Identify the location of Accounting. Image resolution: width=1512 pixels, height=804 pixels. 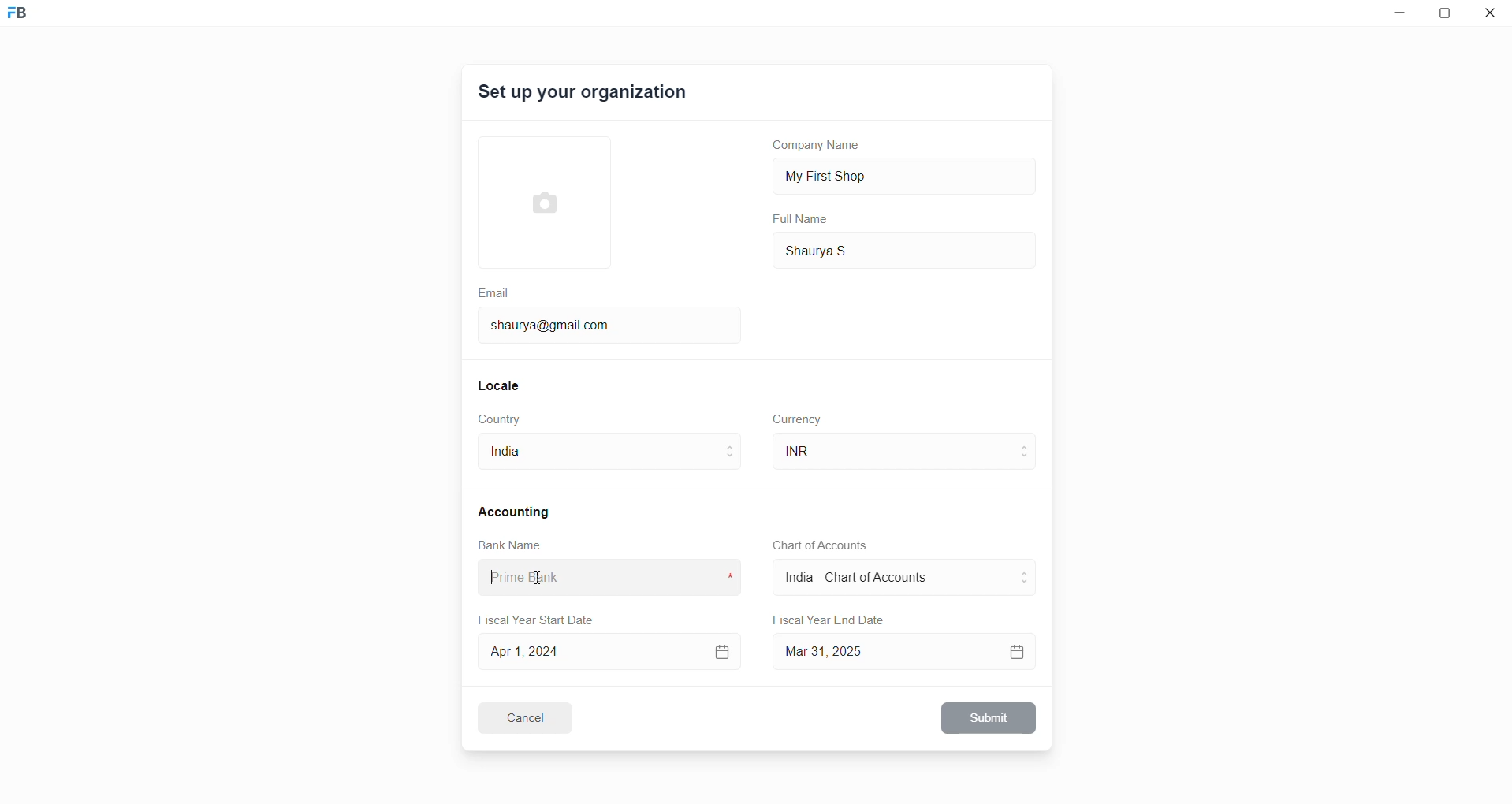
(516, 511).